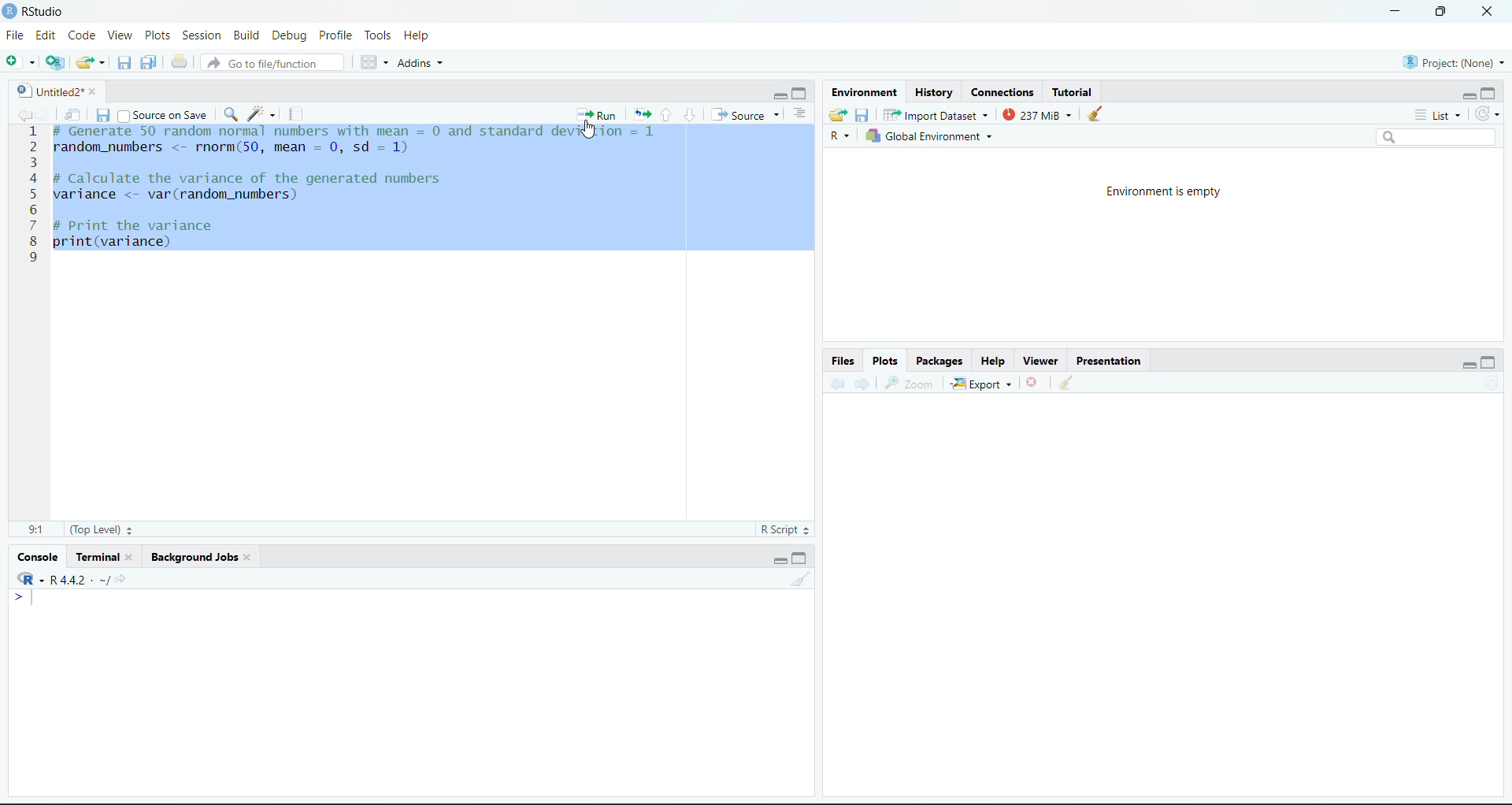 Image resolution: width=1512 pixels, height=805 pixels. Describe the element at coordinates (163, 114) in the screenshot. I see `Source on Save` at that location.